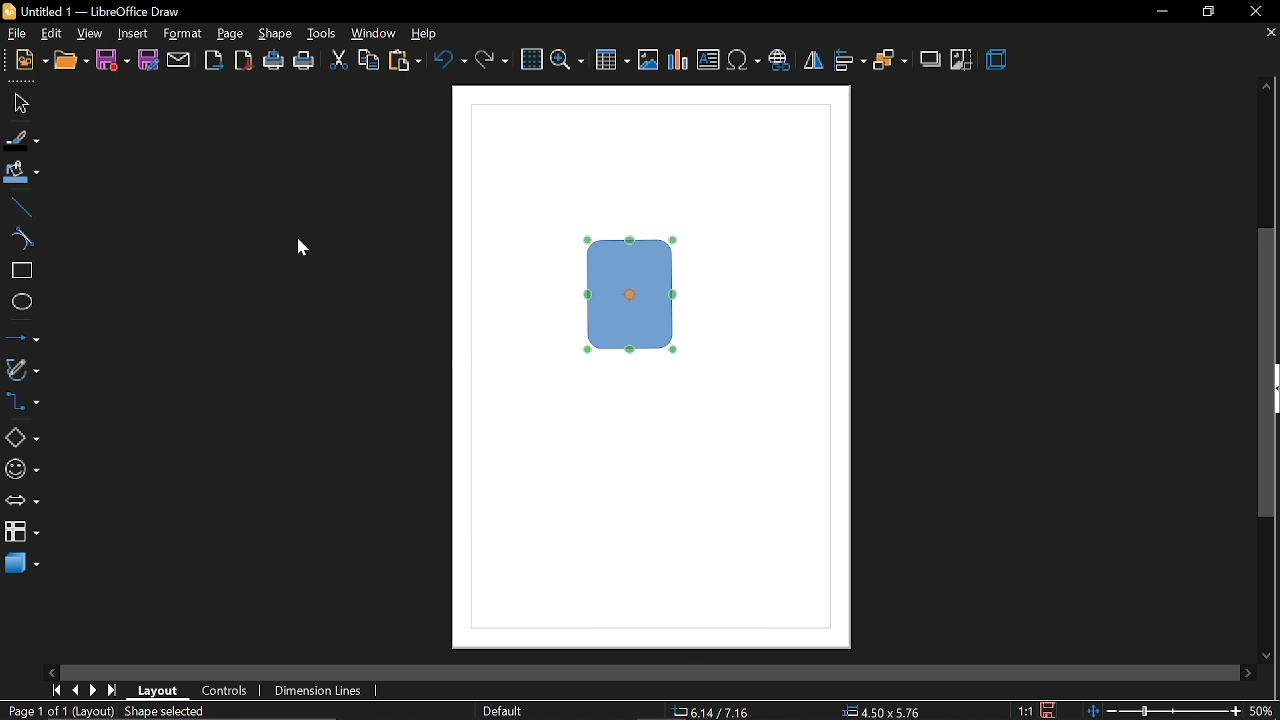 This screenshot has height=720, width=1280. I want to click on save as, so click(148, 61).